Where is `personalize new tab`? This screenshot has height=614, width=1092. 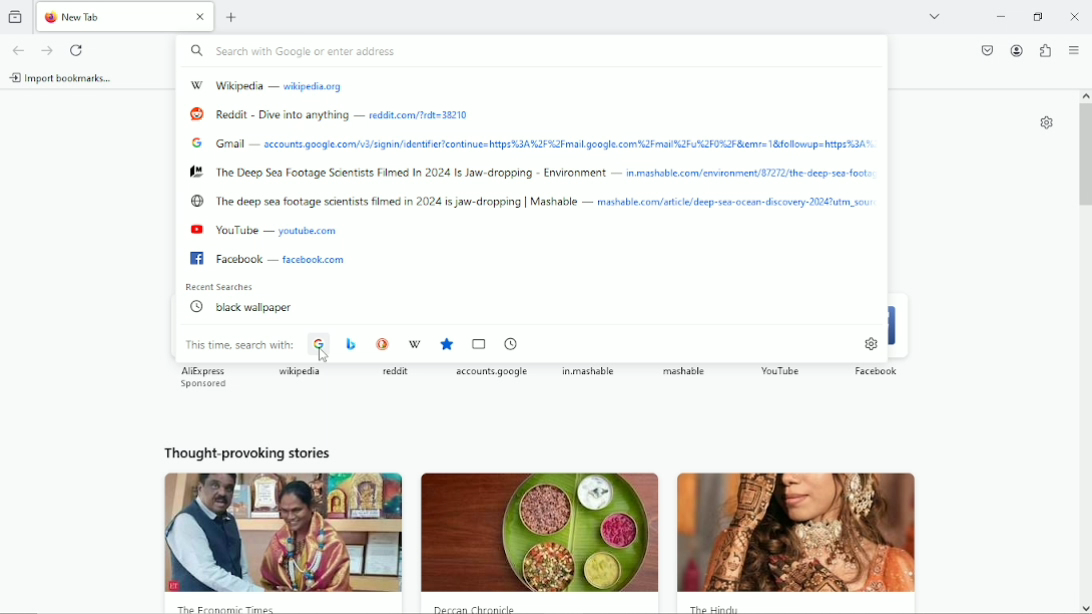
personalize new tab is located at coordinates (1046, 122).